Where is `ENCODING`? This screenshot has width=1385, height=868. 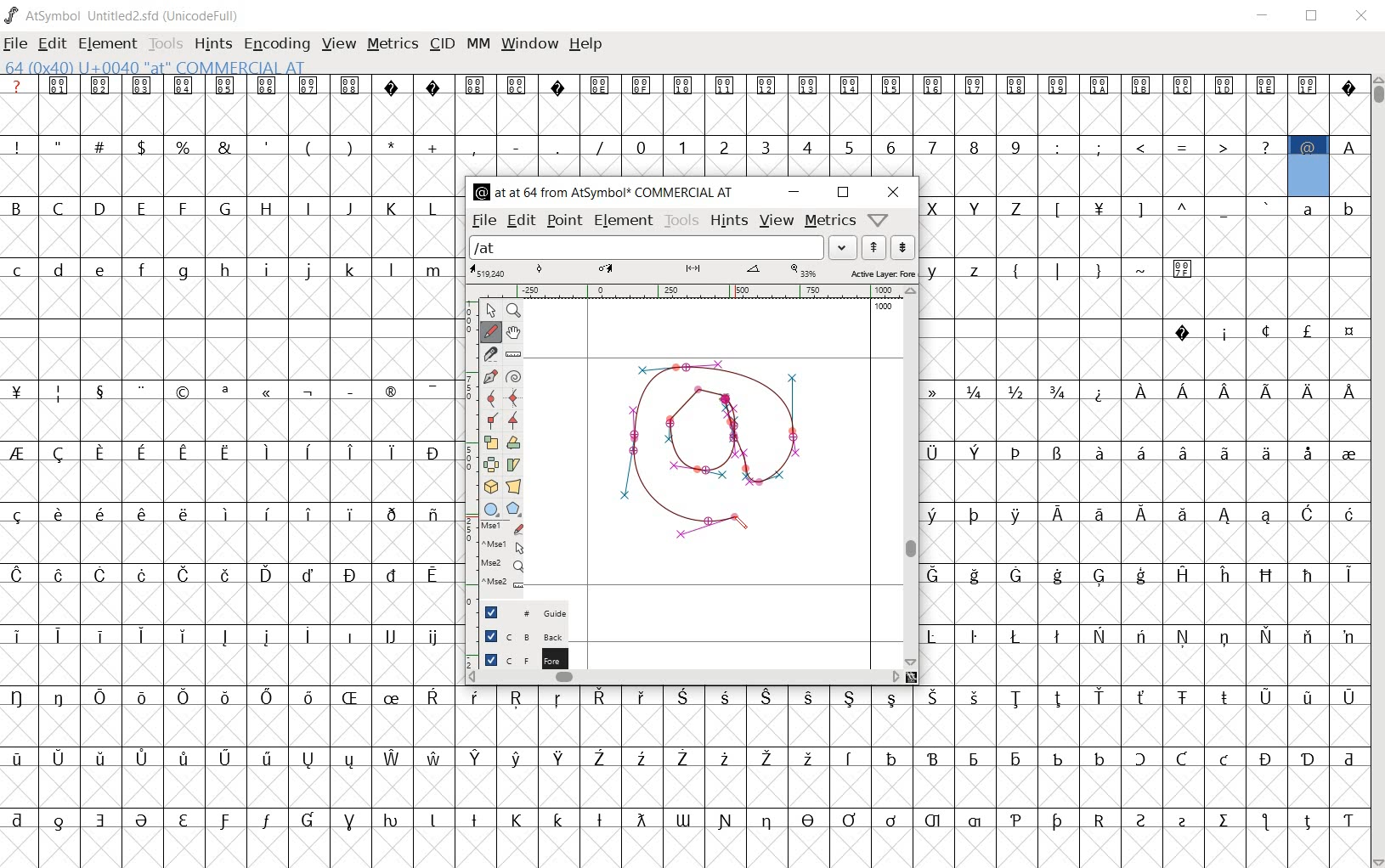
ENCODING is located at coordinates (280, 46).